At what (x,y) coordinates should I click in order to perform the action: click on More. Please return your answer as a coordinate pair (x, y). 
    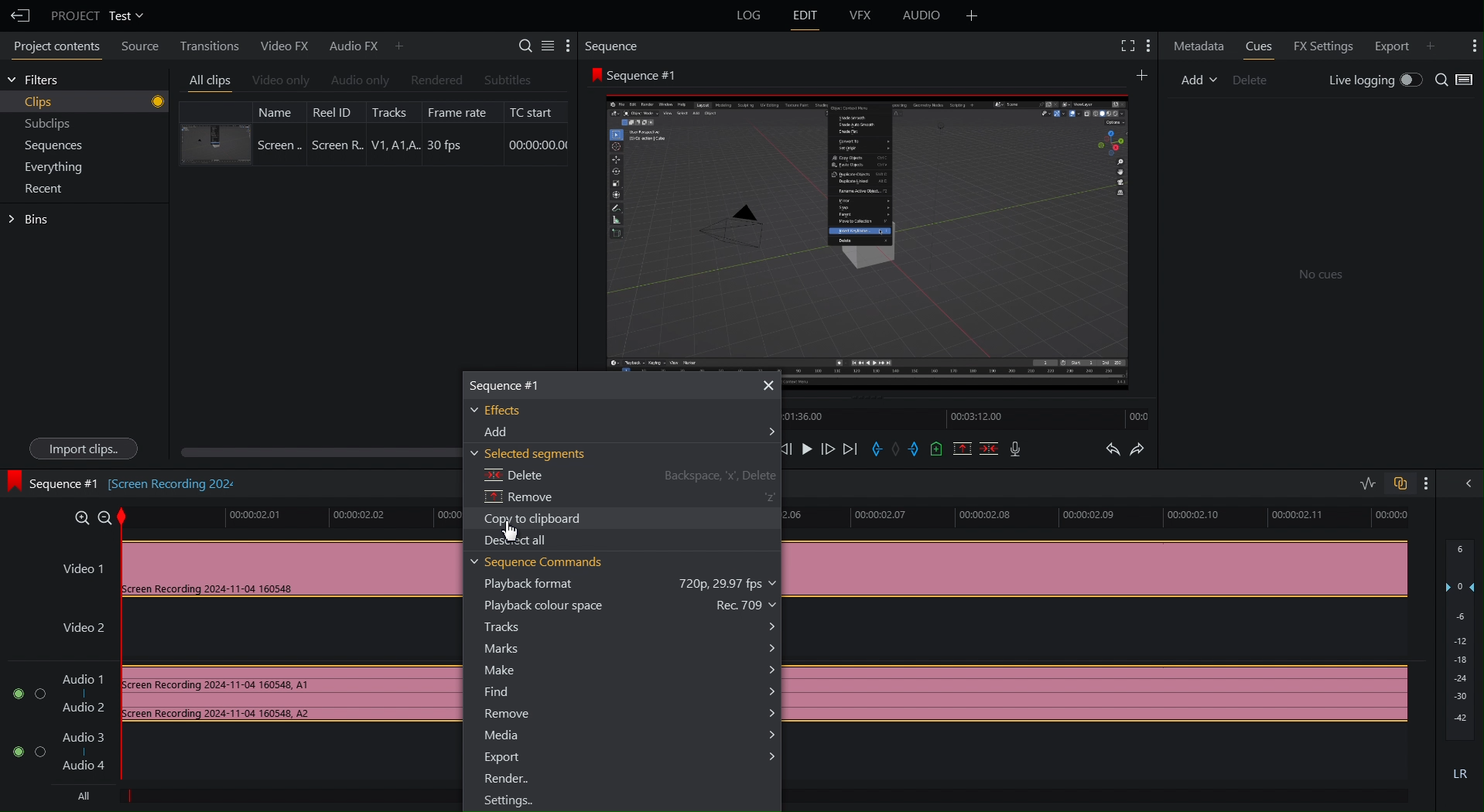
    Looking at the image, I should click on (1151, 47).